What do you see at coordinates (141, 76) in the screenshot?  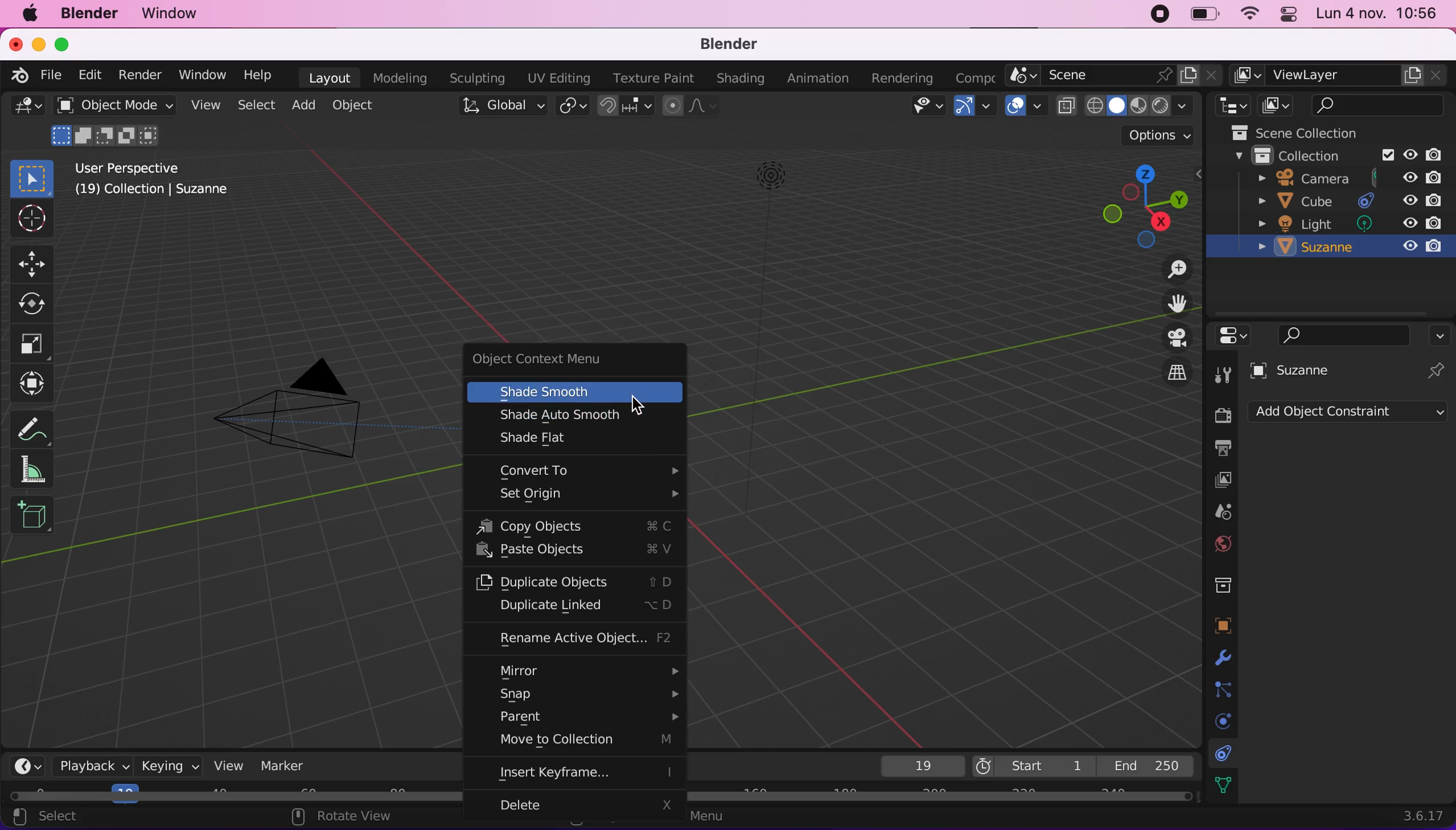 I see `render` at bounding box center [141, 76].